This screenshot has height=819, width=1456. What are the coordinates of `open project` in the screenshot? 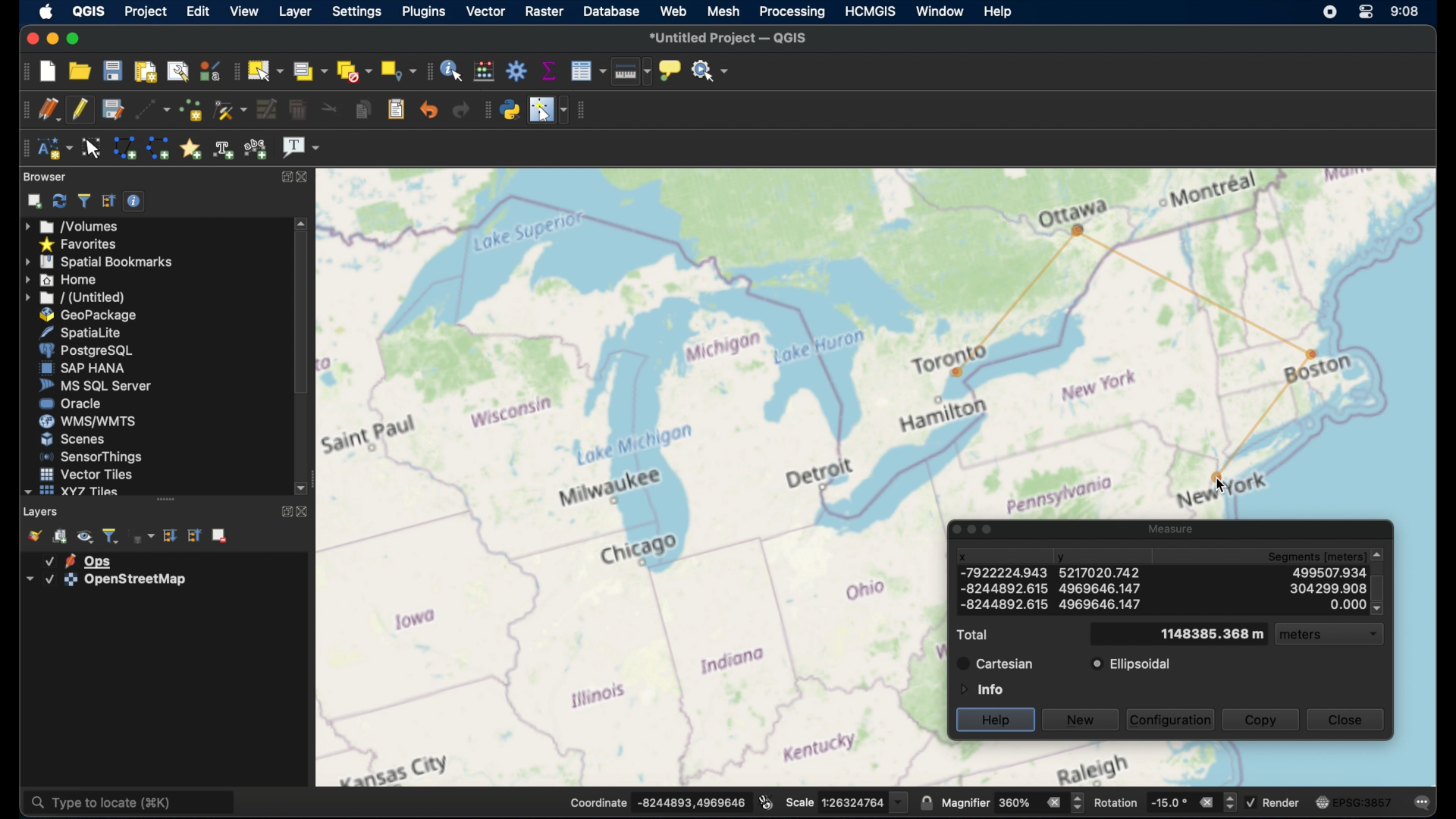 It's located at (82, 71).